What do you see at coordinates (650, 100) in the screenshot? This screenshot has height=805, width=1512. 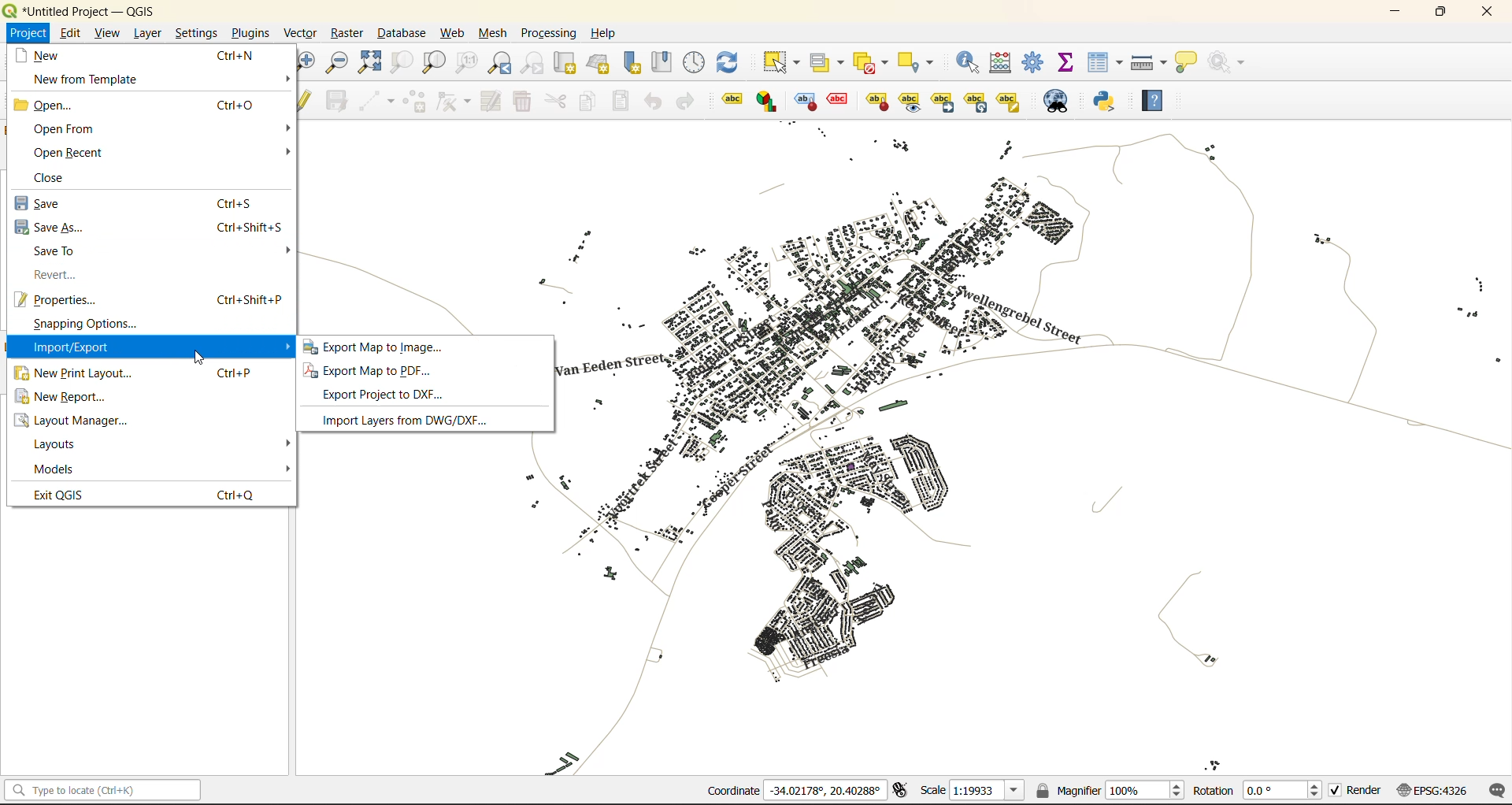 I see `undo` at bounding box center [650, 100].